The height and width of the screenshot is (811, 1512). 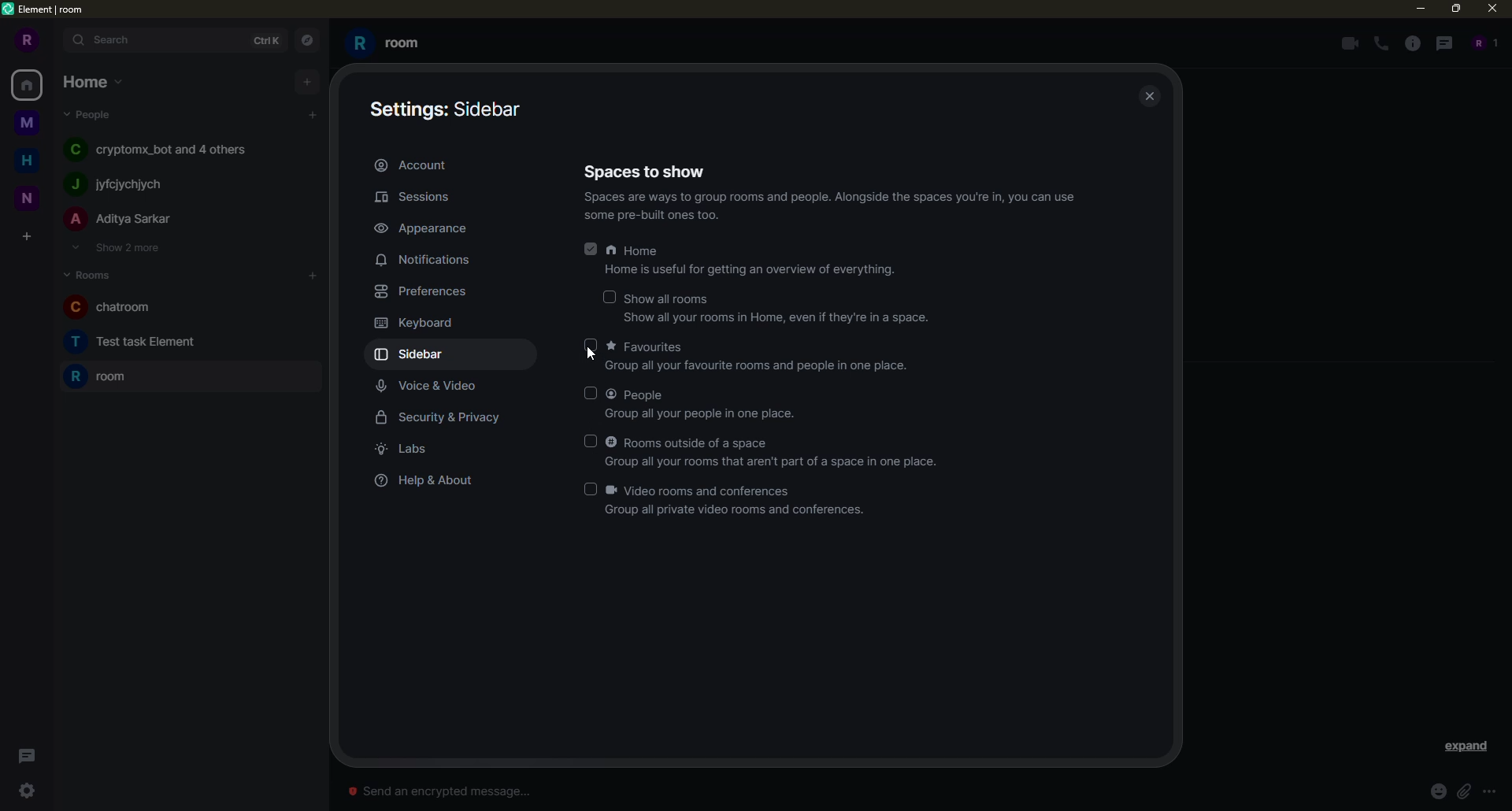 I want to click on show 2 more, so click(x=120, y=249).